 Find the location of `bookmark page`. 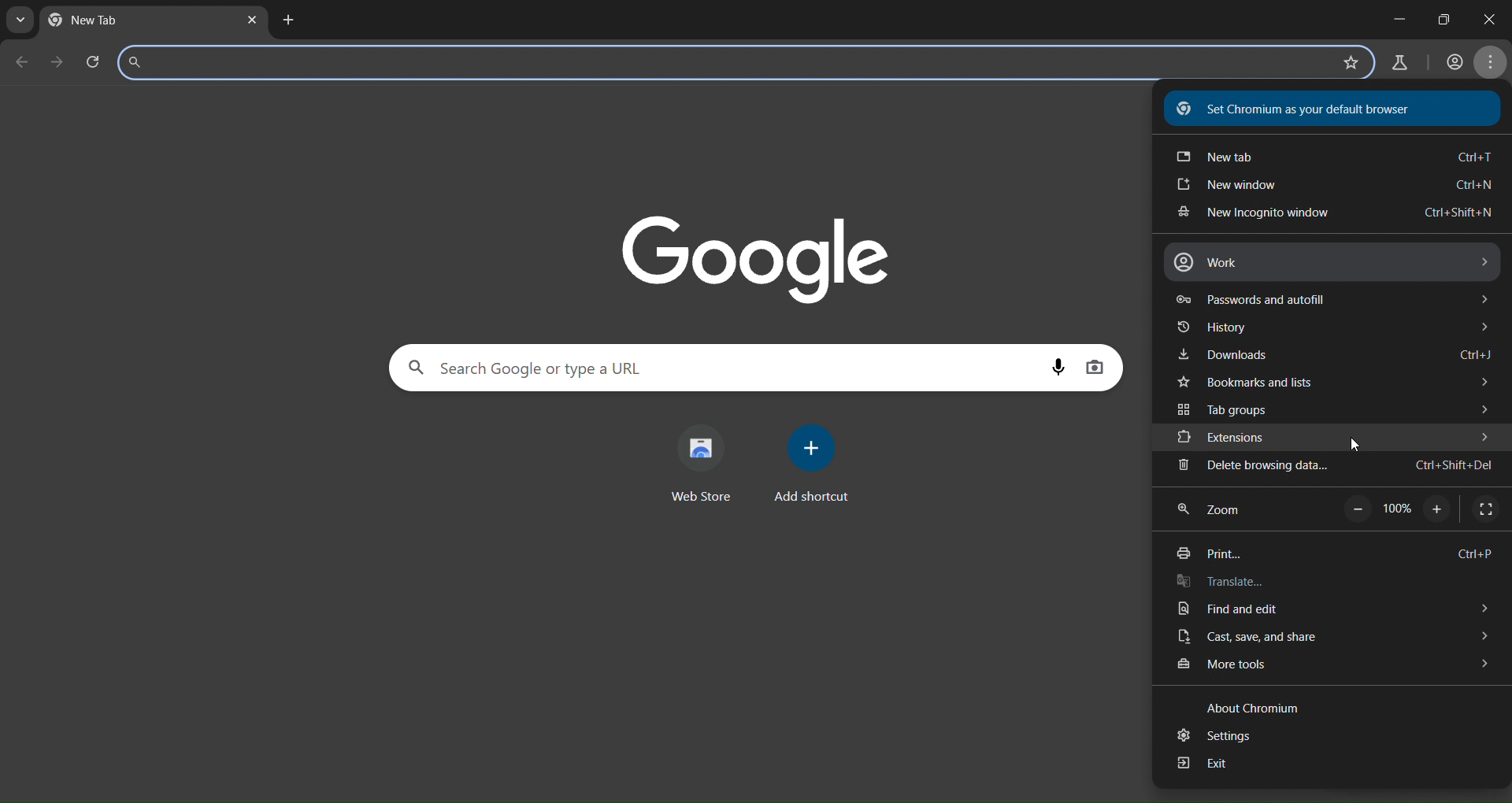

bookmark page is located at coordinates (1351, 62).